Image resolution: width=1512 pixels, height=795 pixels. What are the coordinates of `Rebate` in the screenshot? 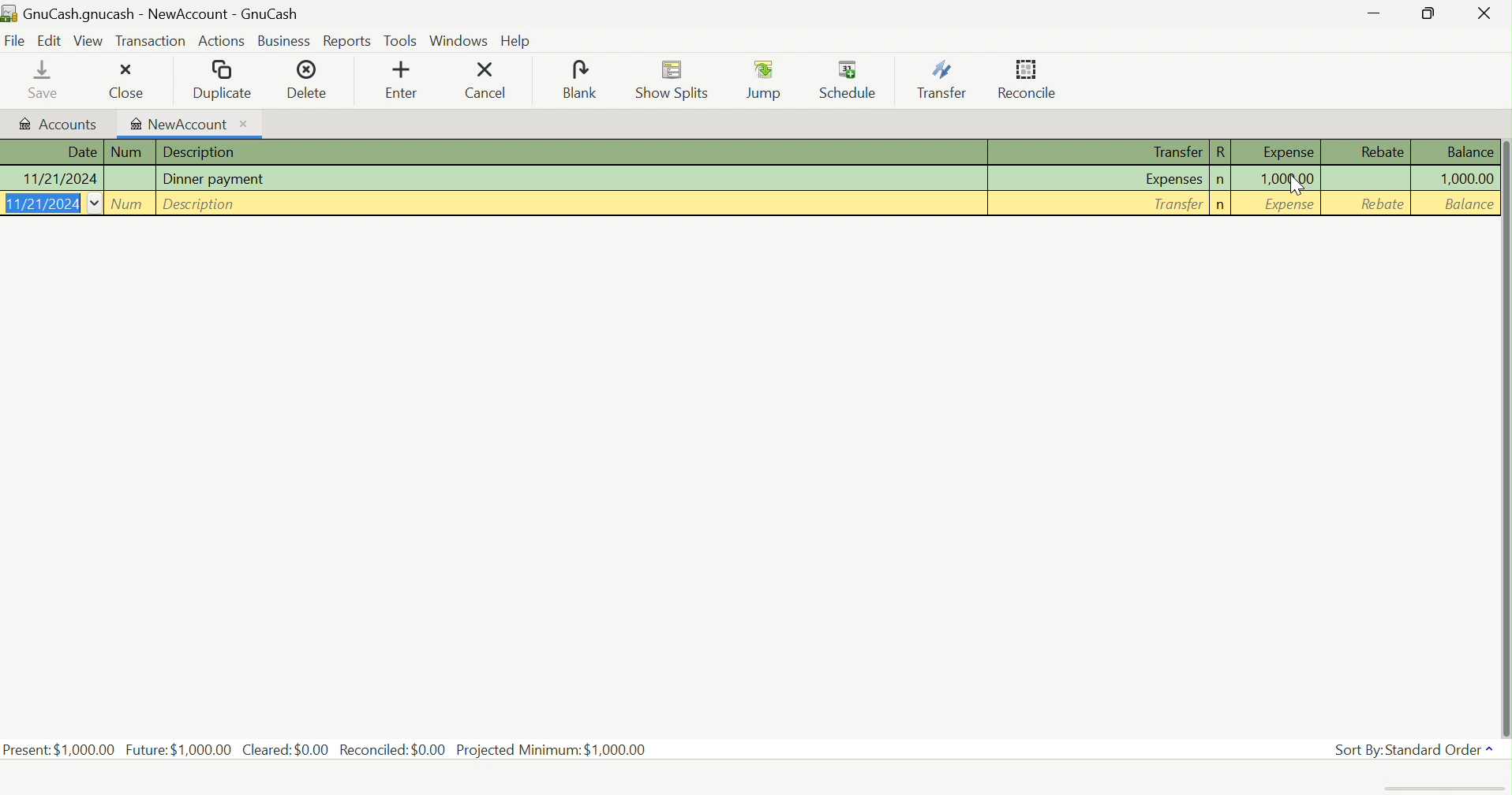 It's located at (1384, 206).